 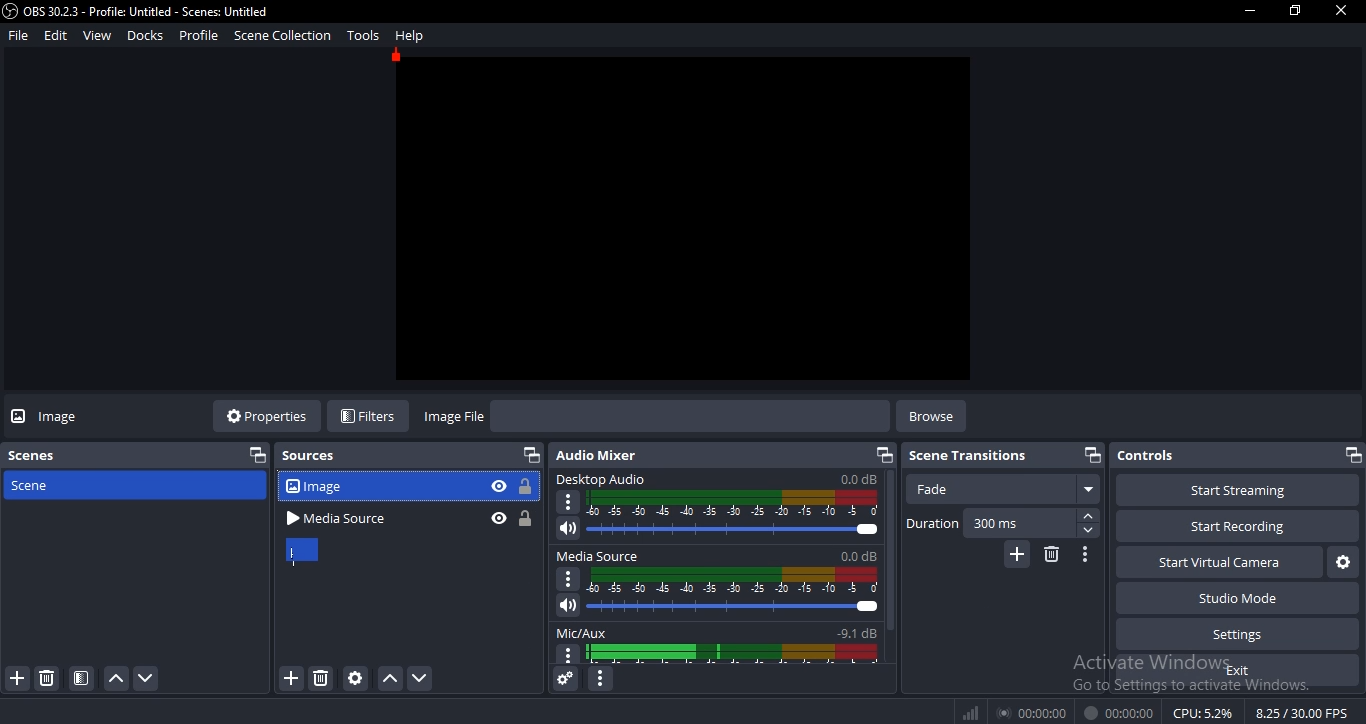 I want to click on scene transitions, so click(x=969, y=456).